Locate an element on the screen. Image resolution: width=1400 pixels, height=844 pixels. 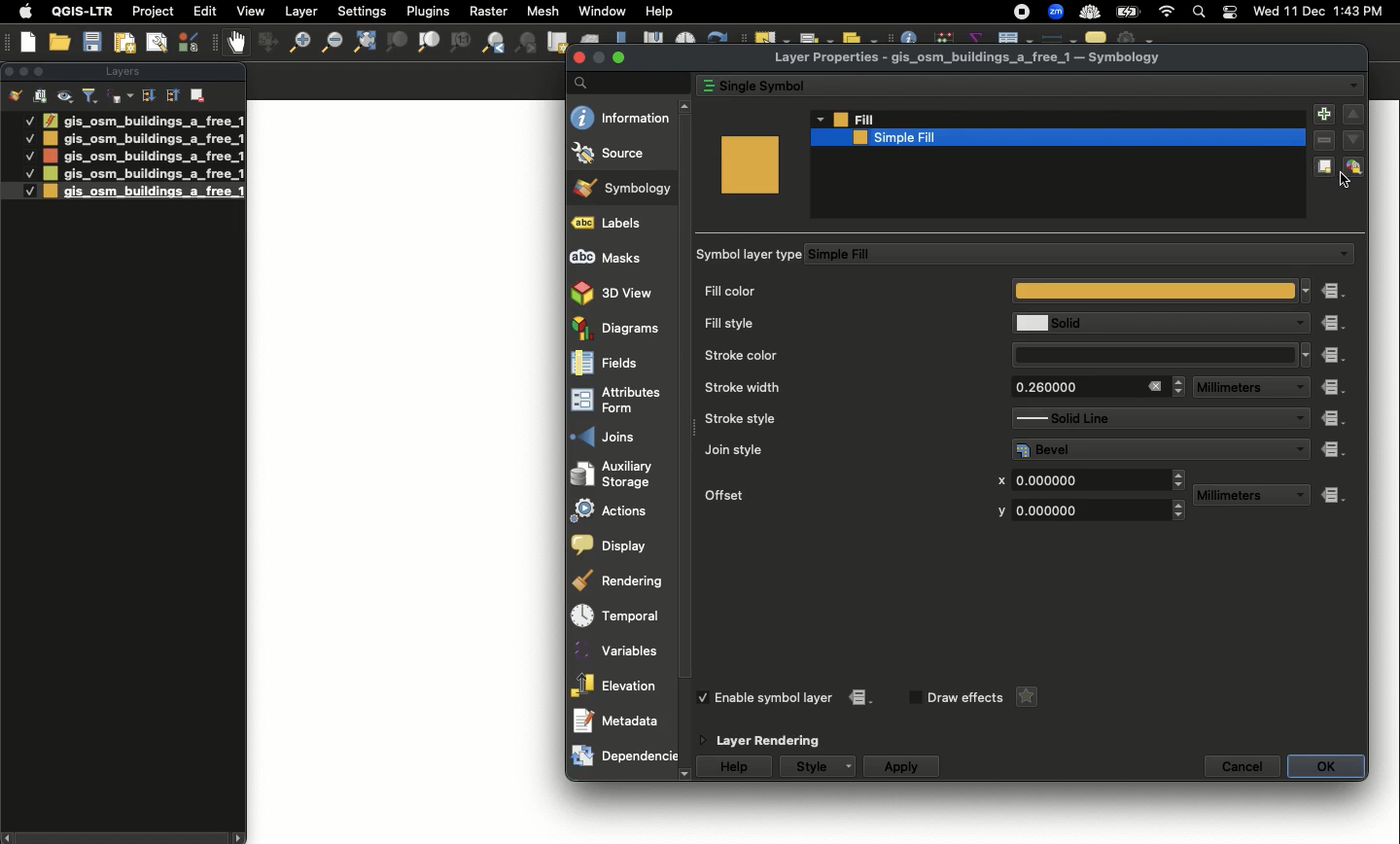
Solid is located at coordinates (1144, 323).